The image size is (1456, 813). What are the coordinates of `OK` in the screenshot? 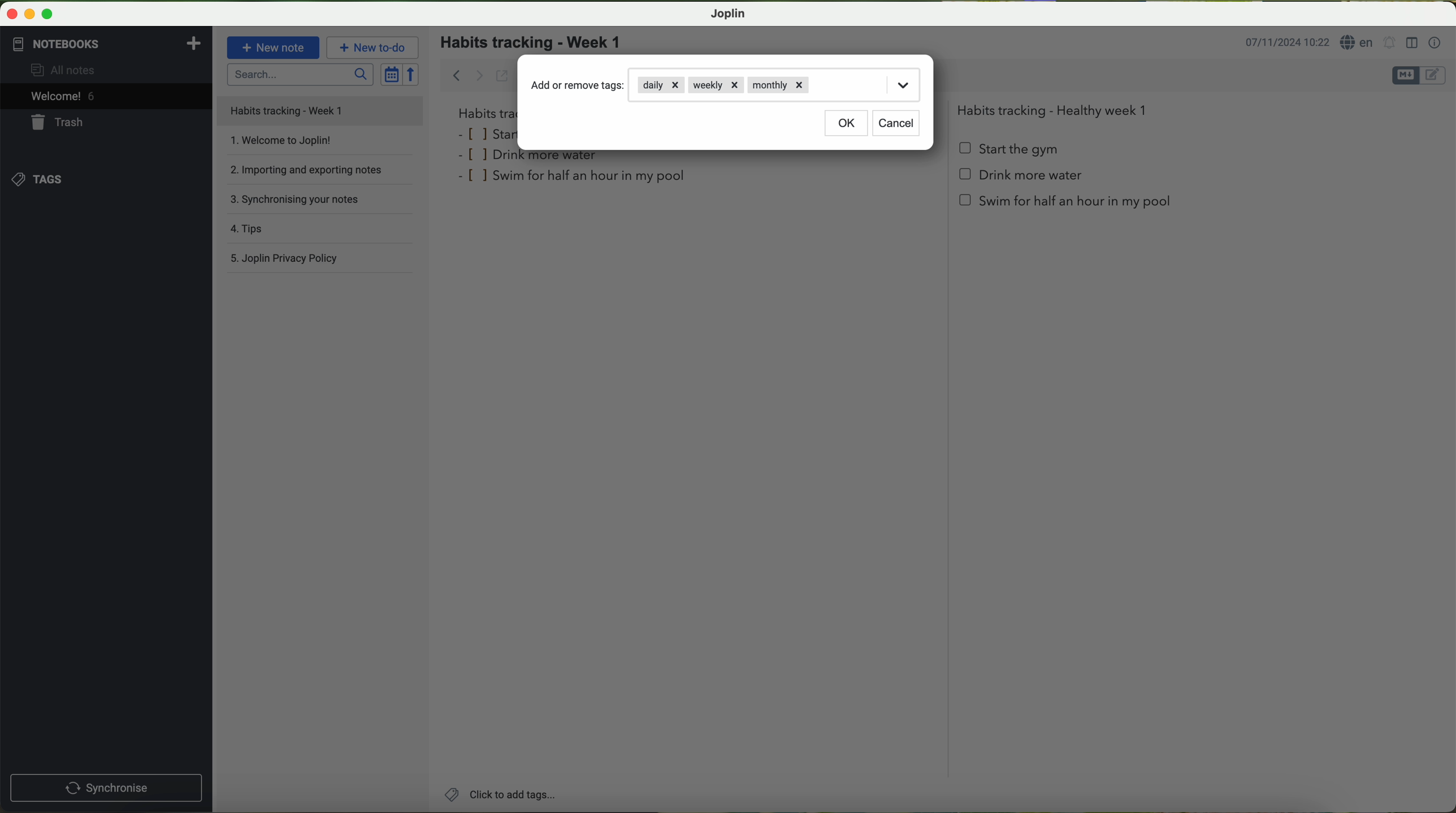 It's located at (847, 124).